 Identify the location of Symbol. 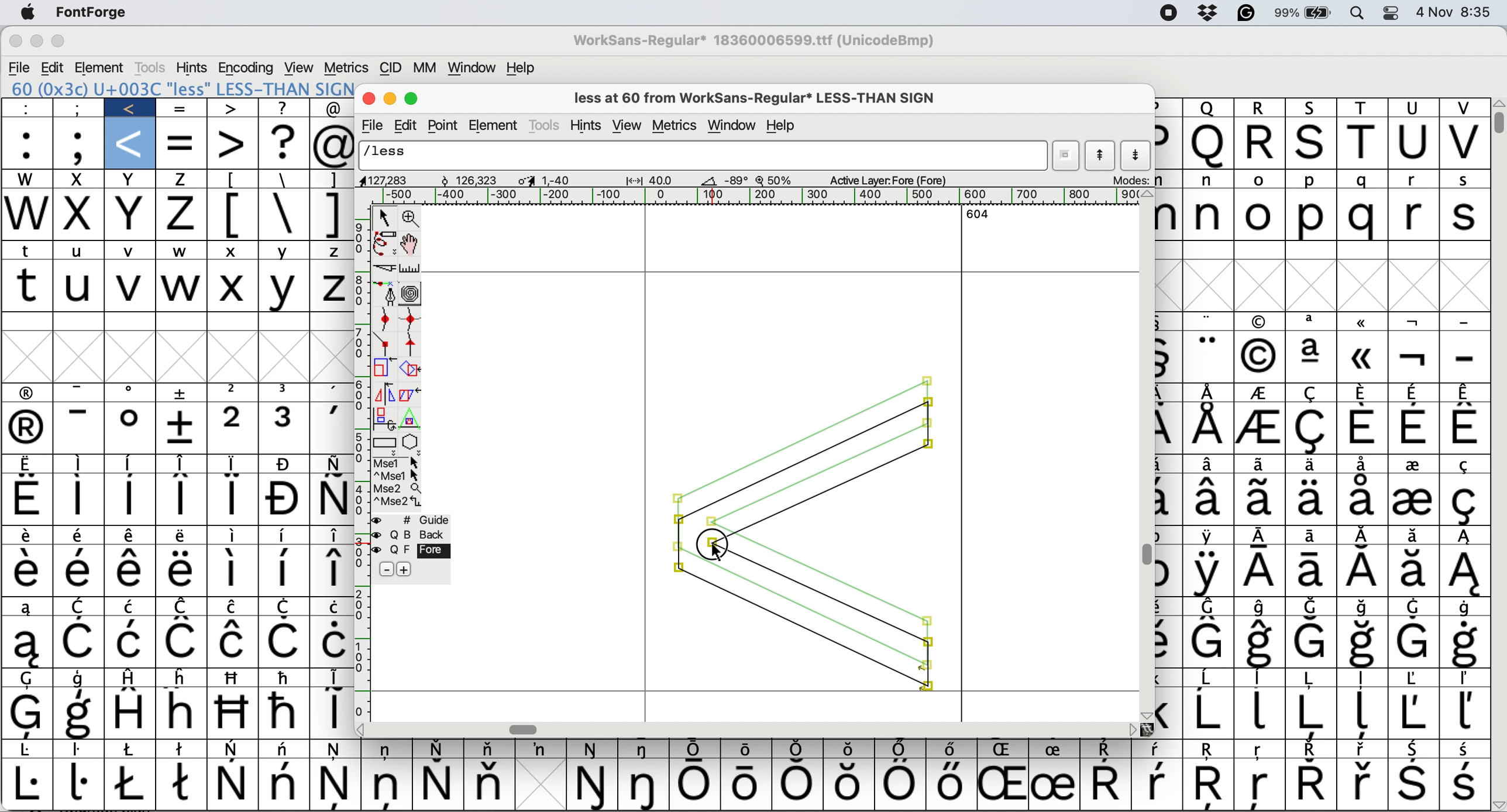
(130, 429).